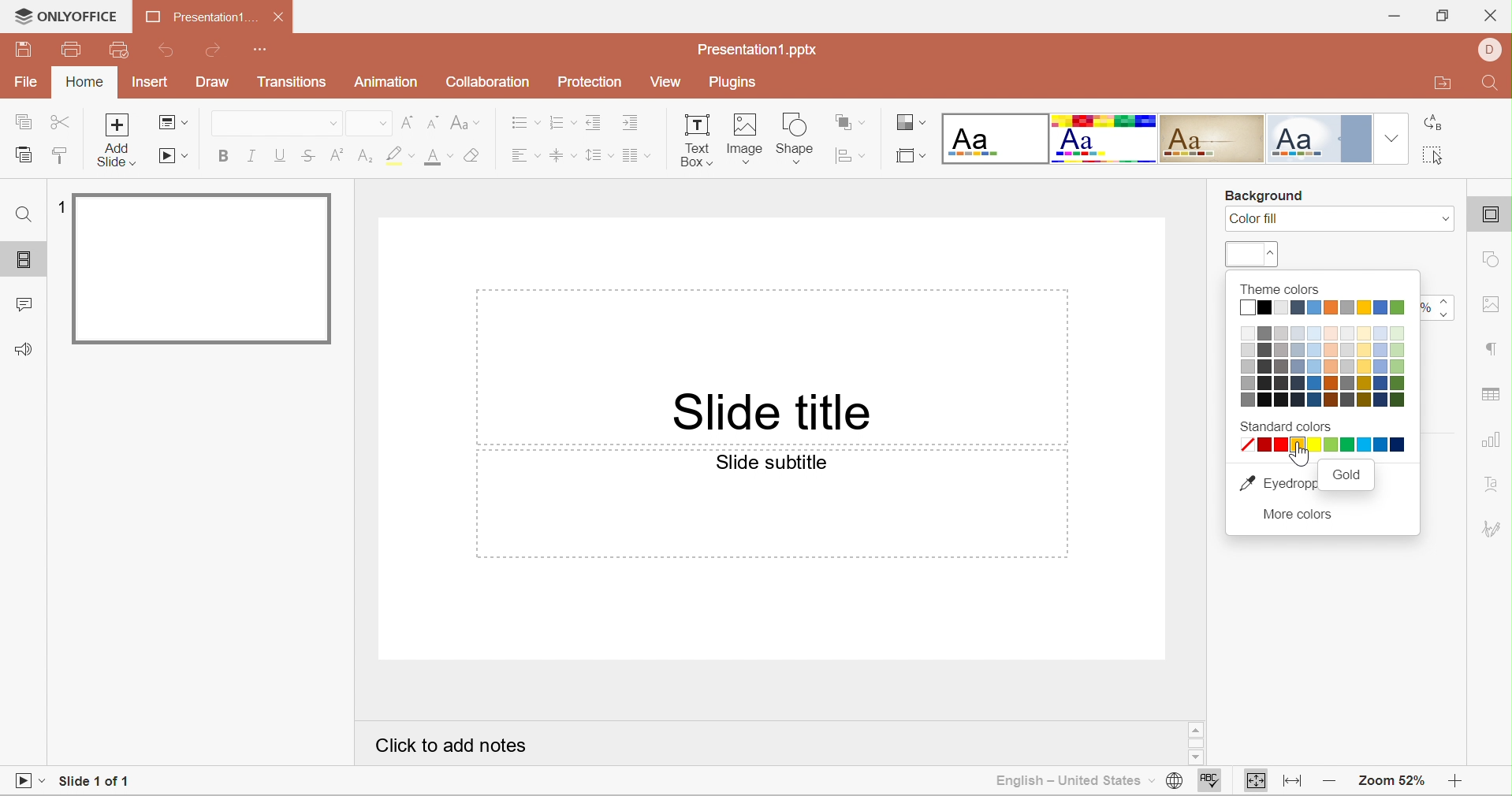 Image resolution: width=1512 pixels, height=796 pixels. What do you see at coordinates (1387, 781) in the screenshot?
I see `Zoom 52%` at bounding box center [1387, 781].